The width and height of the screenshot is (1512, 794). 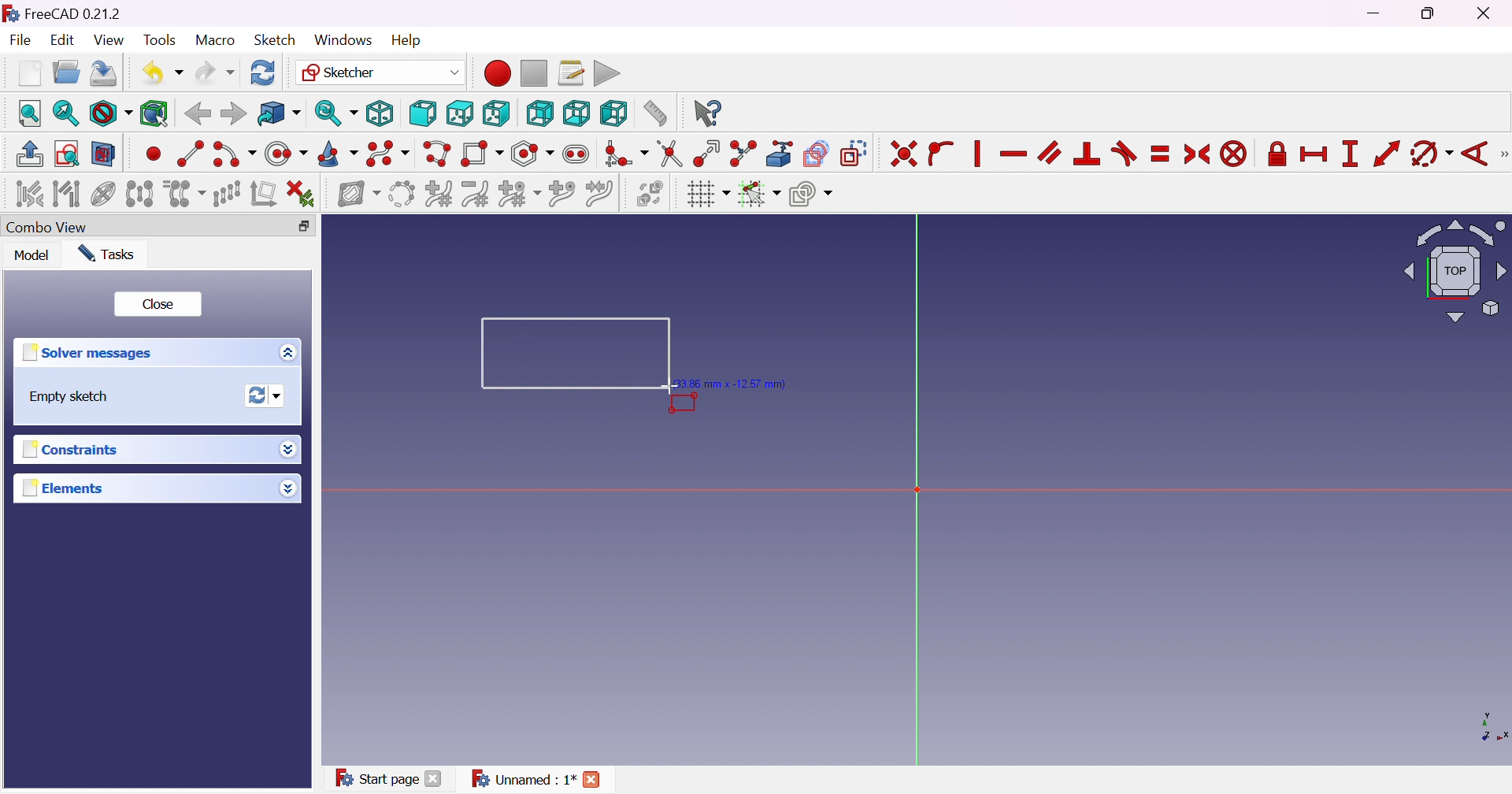 What do you see at coordinates (1430, 15) in the screenshot?
I see `Restore Down` at bounding box center [1430, 15].